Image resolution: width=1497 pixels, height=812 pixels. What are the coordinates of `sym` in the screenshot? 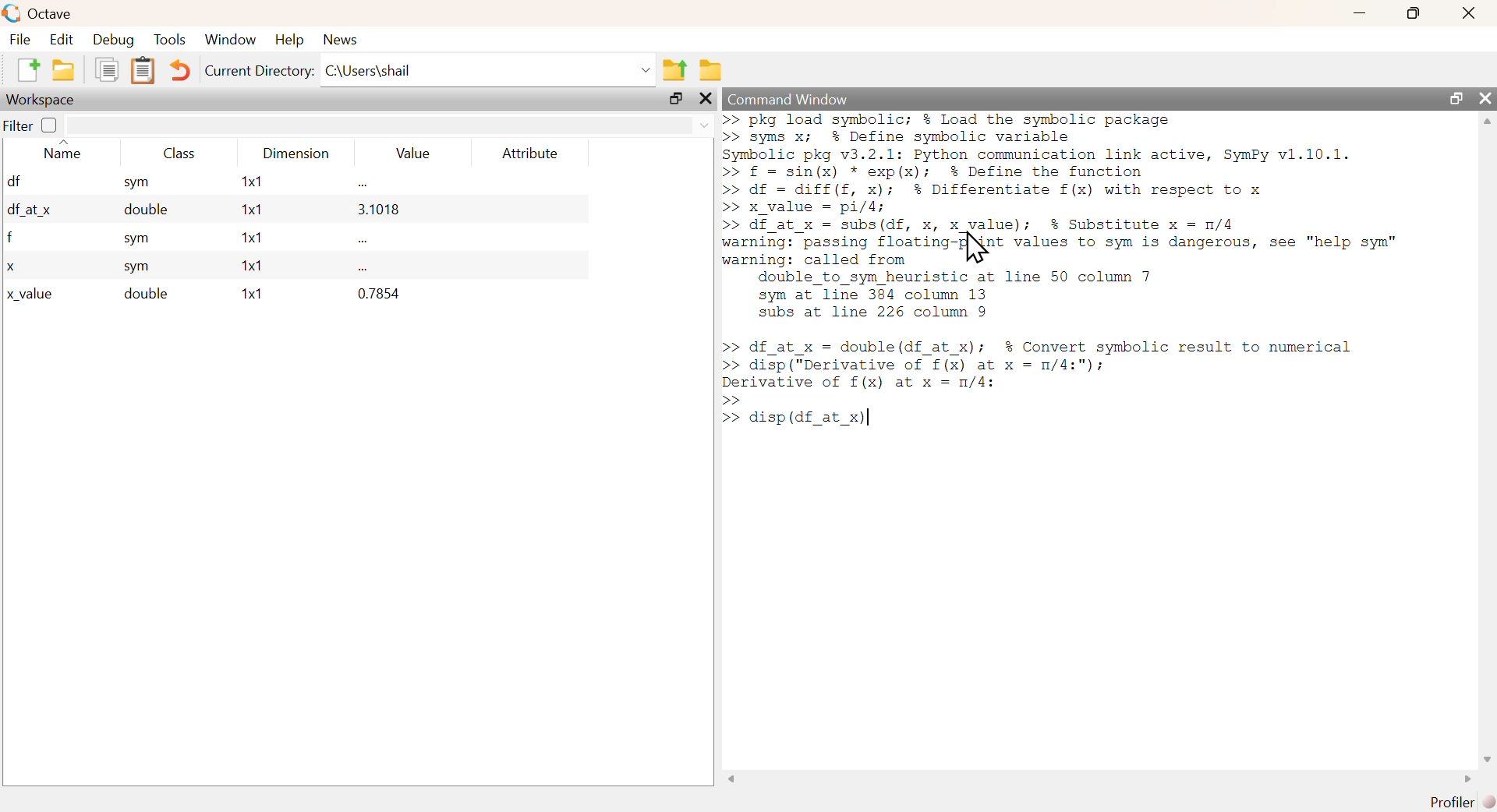 It's located at (138, 240).